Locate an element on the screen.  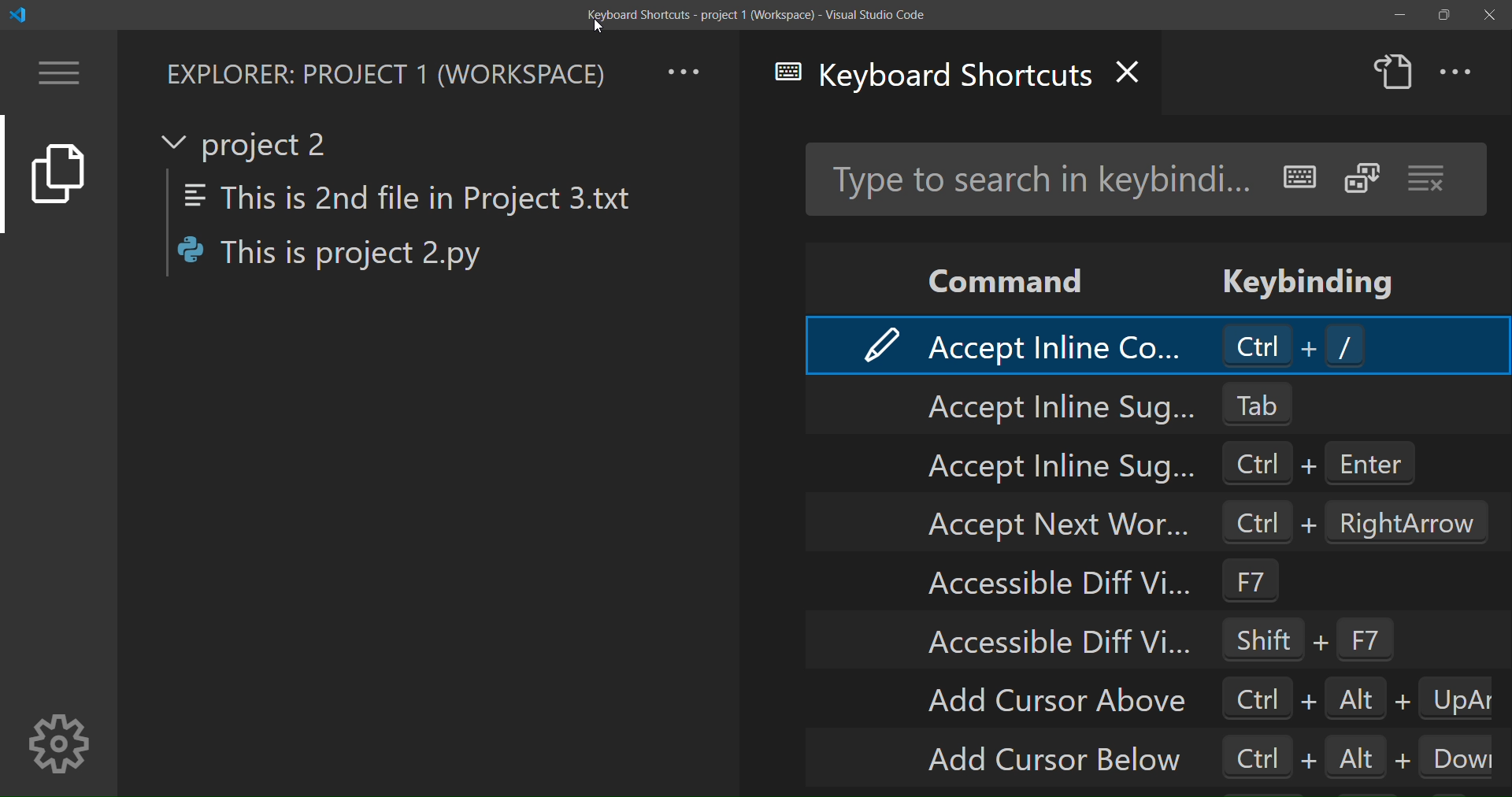
menu option is located at coordinates (61, 72).